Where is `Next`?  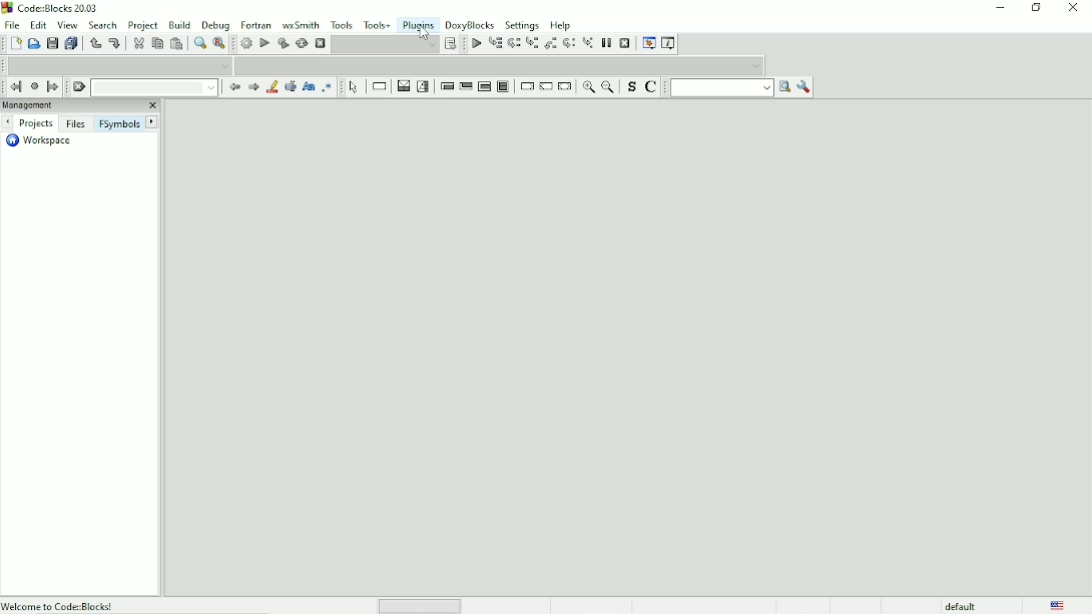
Next is located at coordinates (153, 122).